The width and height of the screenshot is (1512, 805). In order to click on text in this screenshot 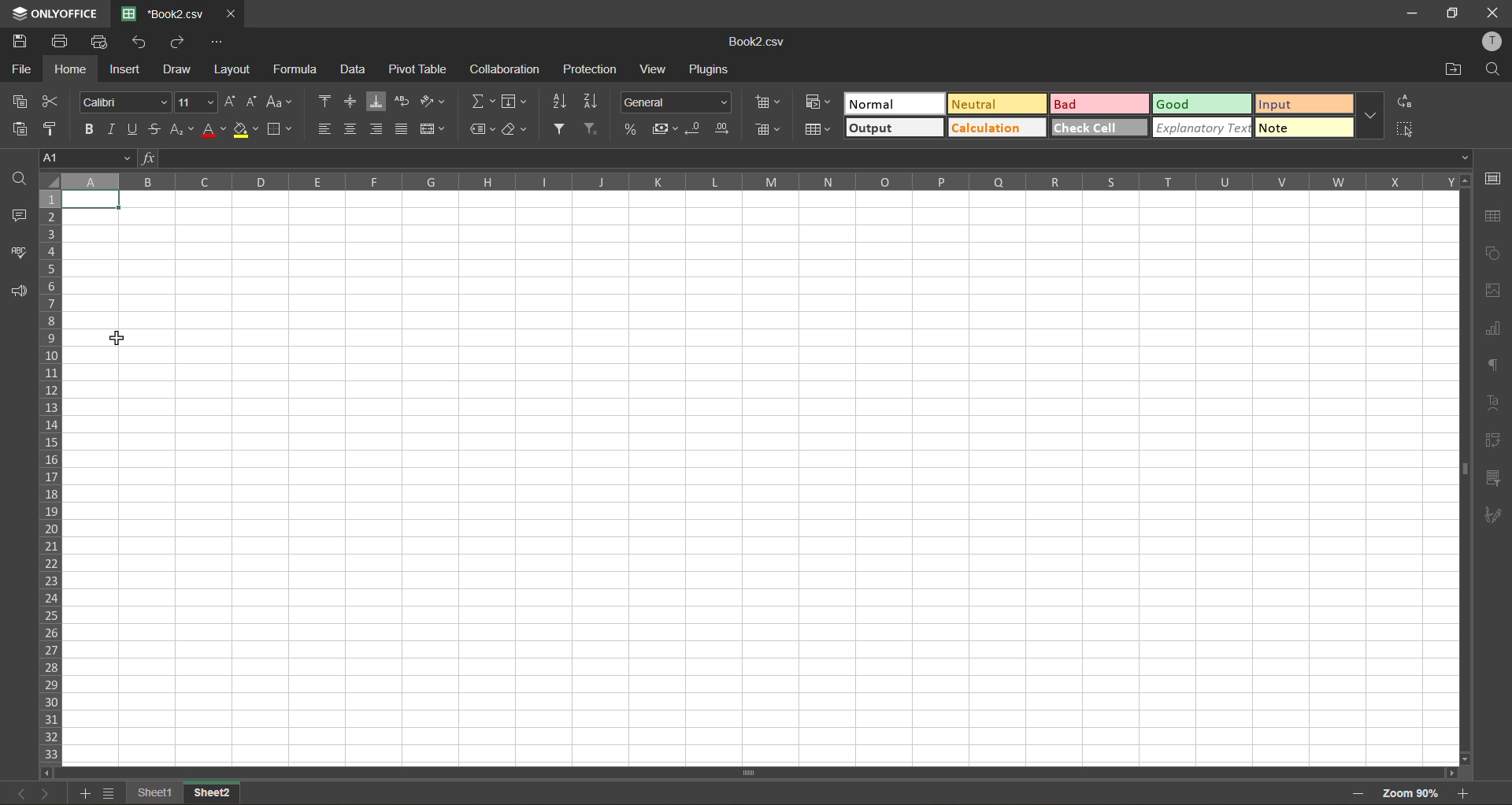, I will do `click(1494, 403)`.